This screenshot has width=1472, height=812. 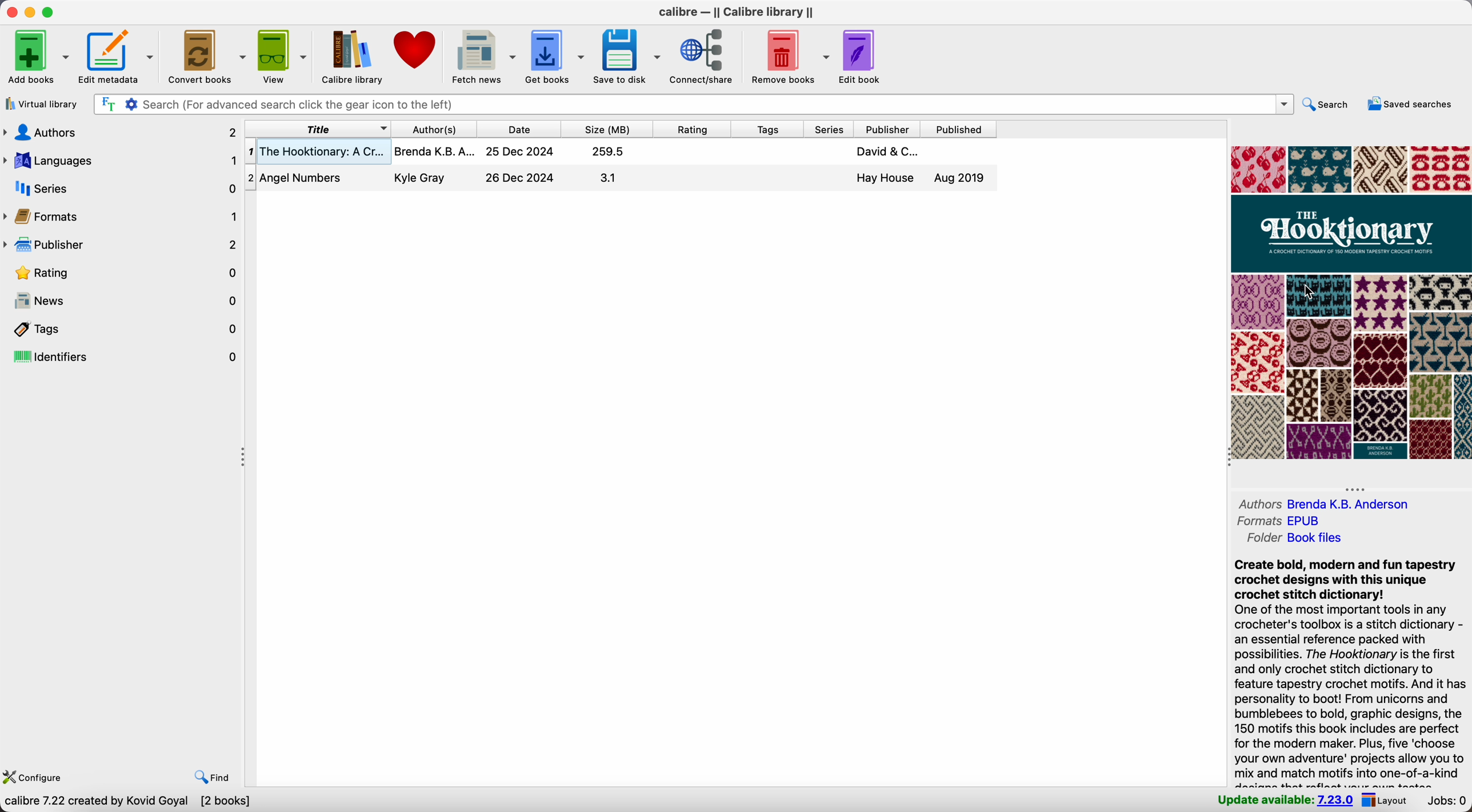 I want to click on folder, so click(x=1299, y=538).